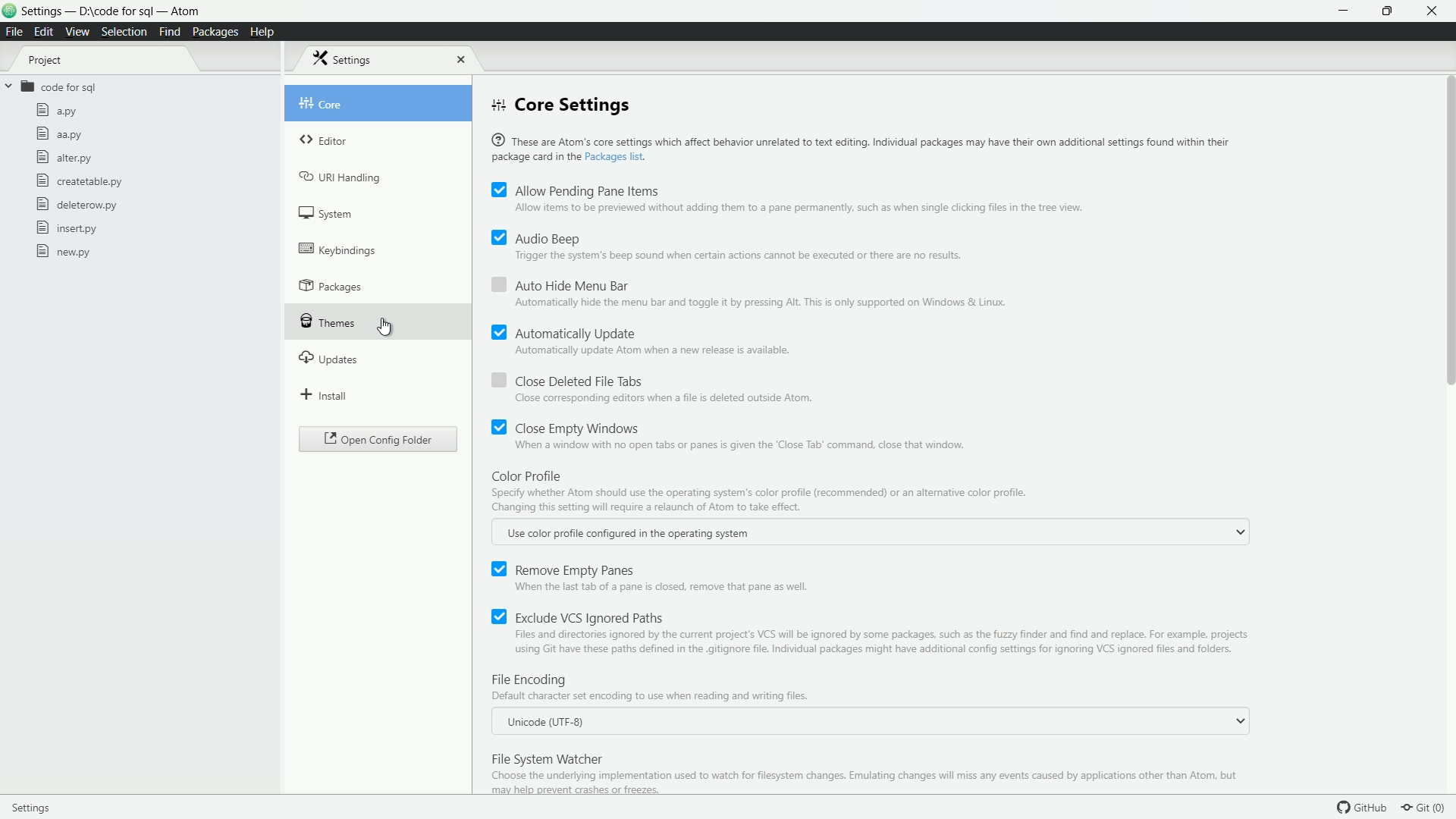 The image size is (1456, 819). I want to click on specify whether atom use the operationg system's color profile recommended or an alternative color profile. changing this setting will require a relaunch of atom to take effect., so click(768, 500).